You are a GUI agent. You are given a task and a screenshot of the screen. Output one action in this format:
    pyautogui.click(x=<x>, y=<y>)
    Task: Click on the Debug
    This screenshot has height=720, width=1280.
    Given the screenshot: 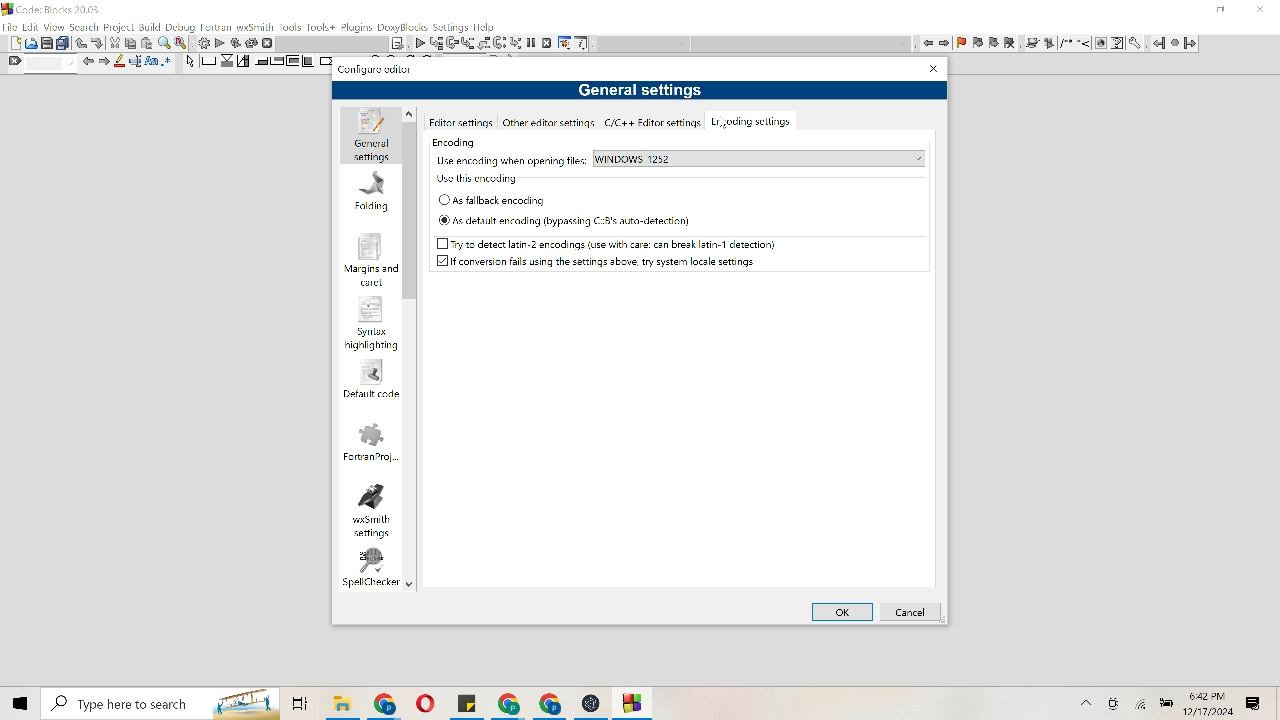 What is the action you would take?
    pyautogui.click(x=180, y=27)
    